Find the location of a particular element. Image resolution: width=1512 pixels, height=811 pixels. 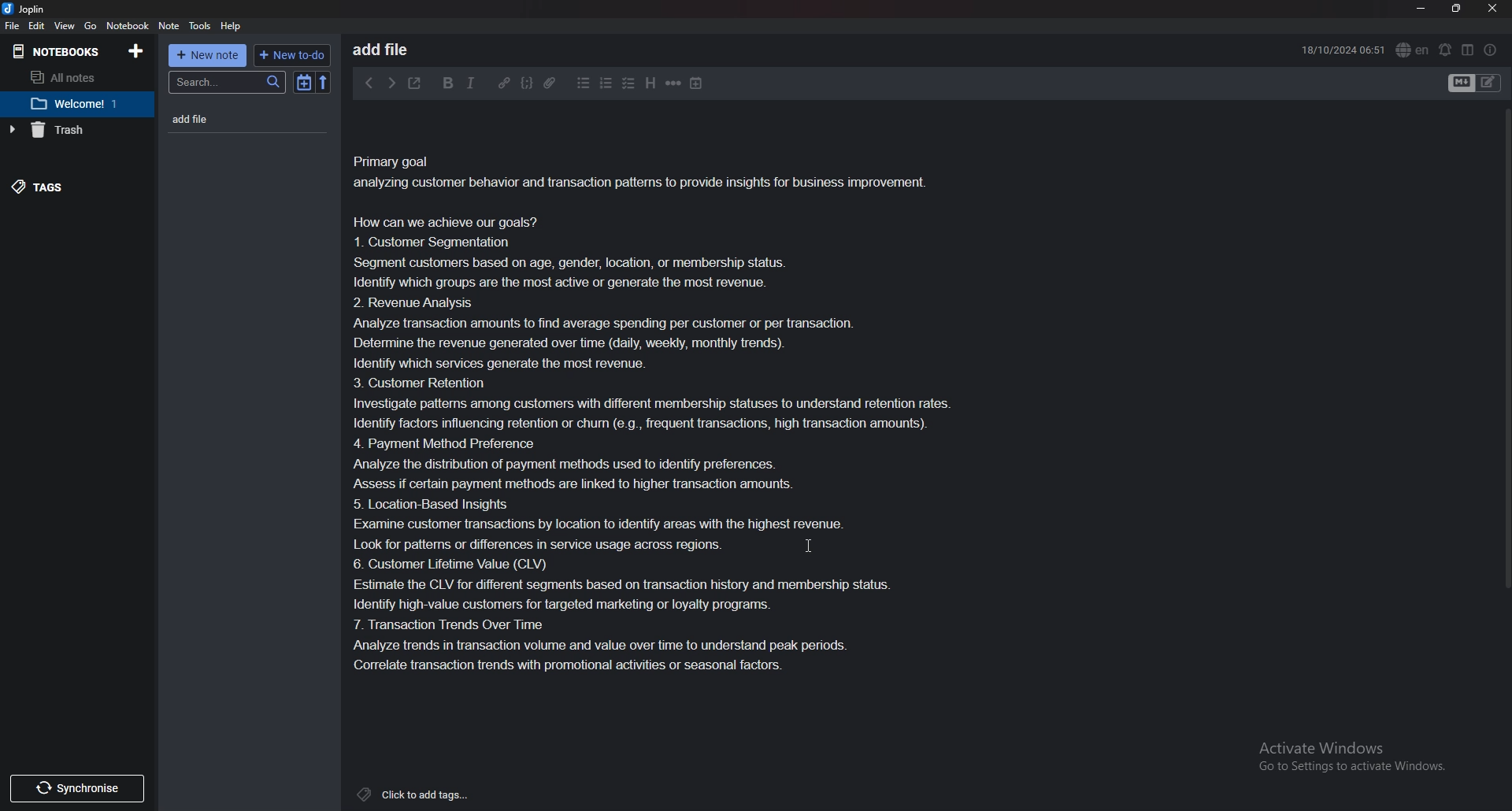

Toggle sort order is located at coordinates (304, 83).